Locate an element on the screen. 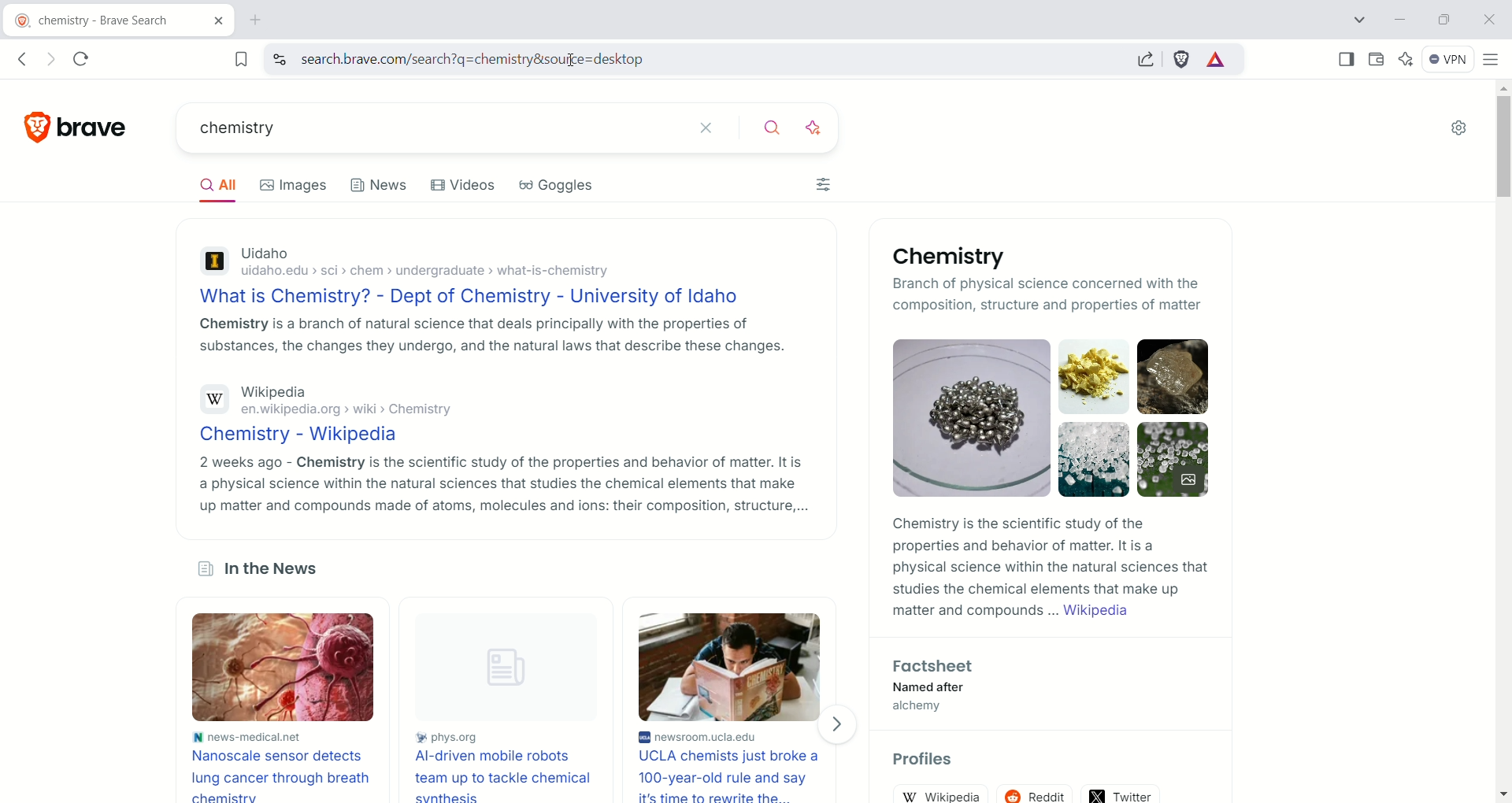 The width and height of the screenshot is (1512, 803). click to go forward, hold to see history is located at coordinates (54, 60).